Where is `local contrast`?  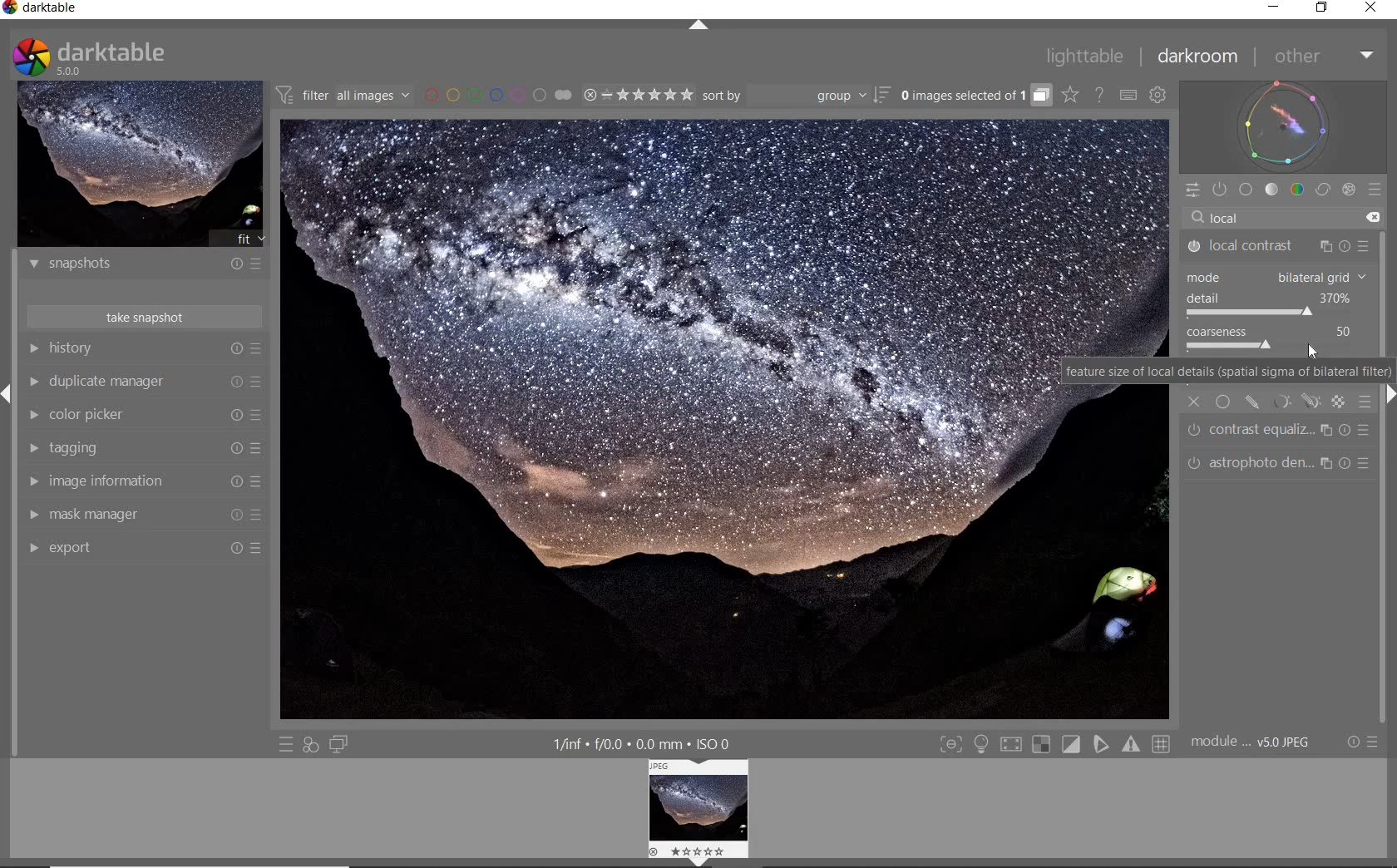
local contrast is located at coordinates (1252, 246).